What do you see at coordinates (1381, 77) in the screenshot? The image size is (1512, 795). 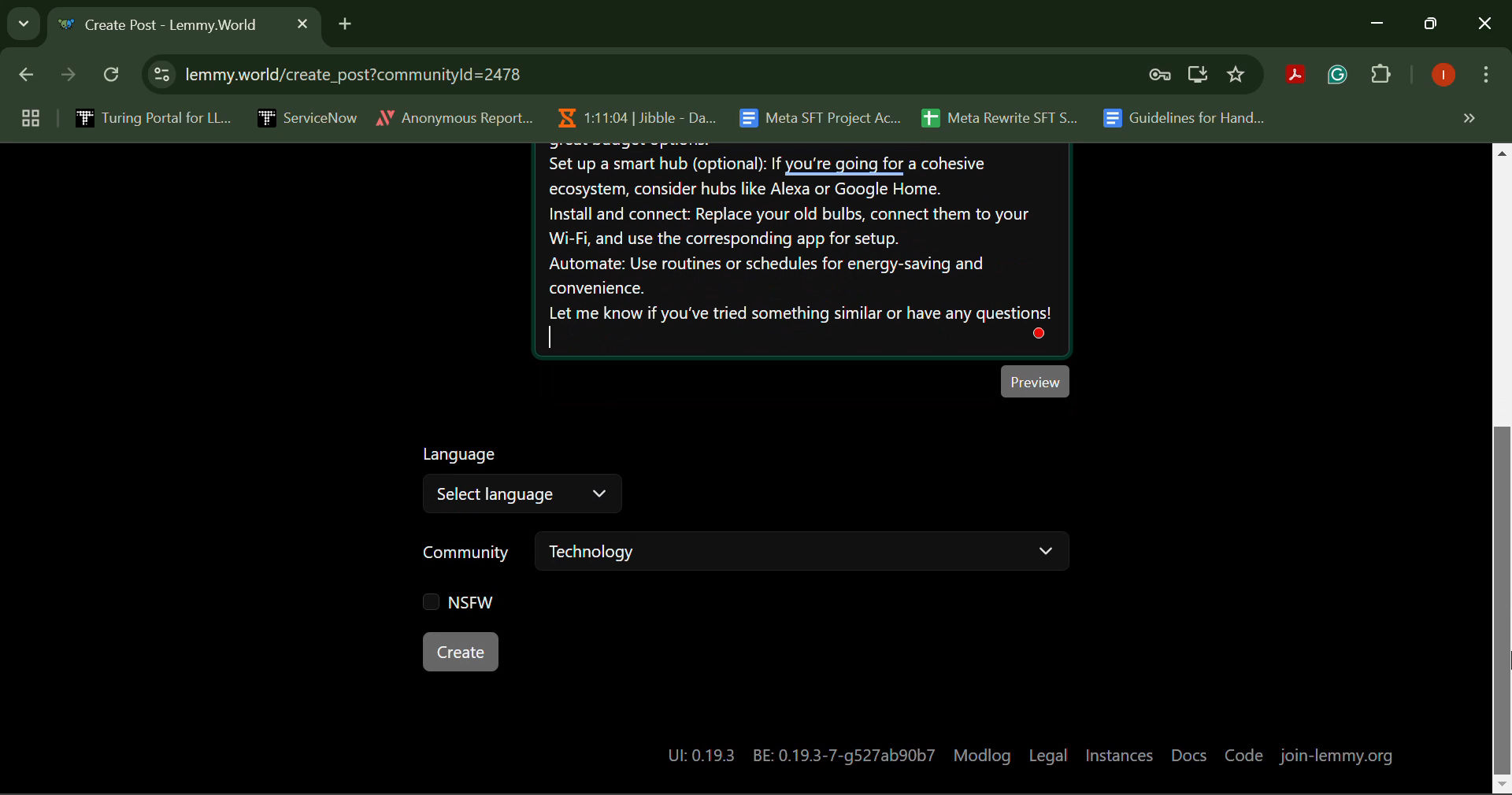 I see `Plugins` at bounding box center [1381, 77].